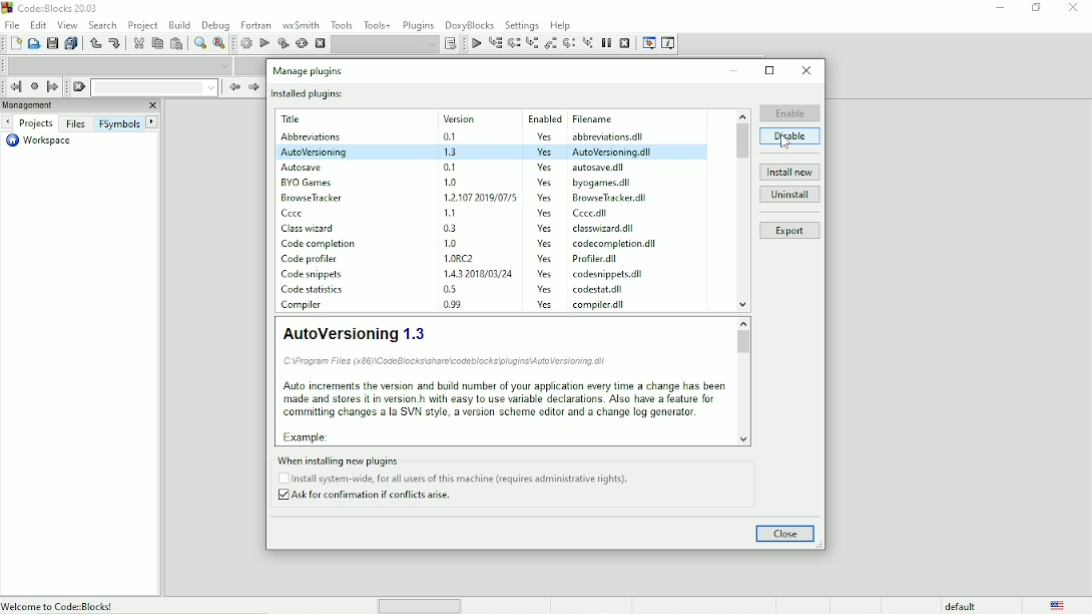 This screenshot has width=1092, height=614. What do you see at coordinates (462, 119) in the screenshot?
I see `Version` at bounding box center [462, 119].